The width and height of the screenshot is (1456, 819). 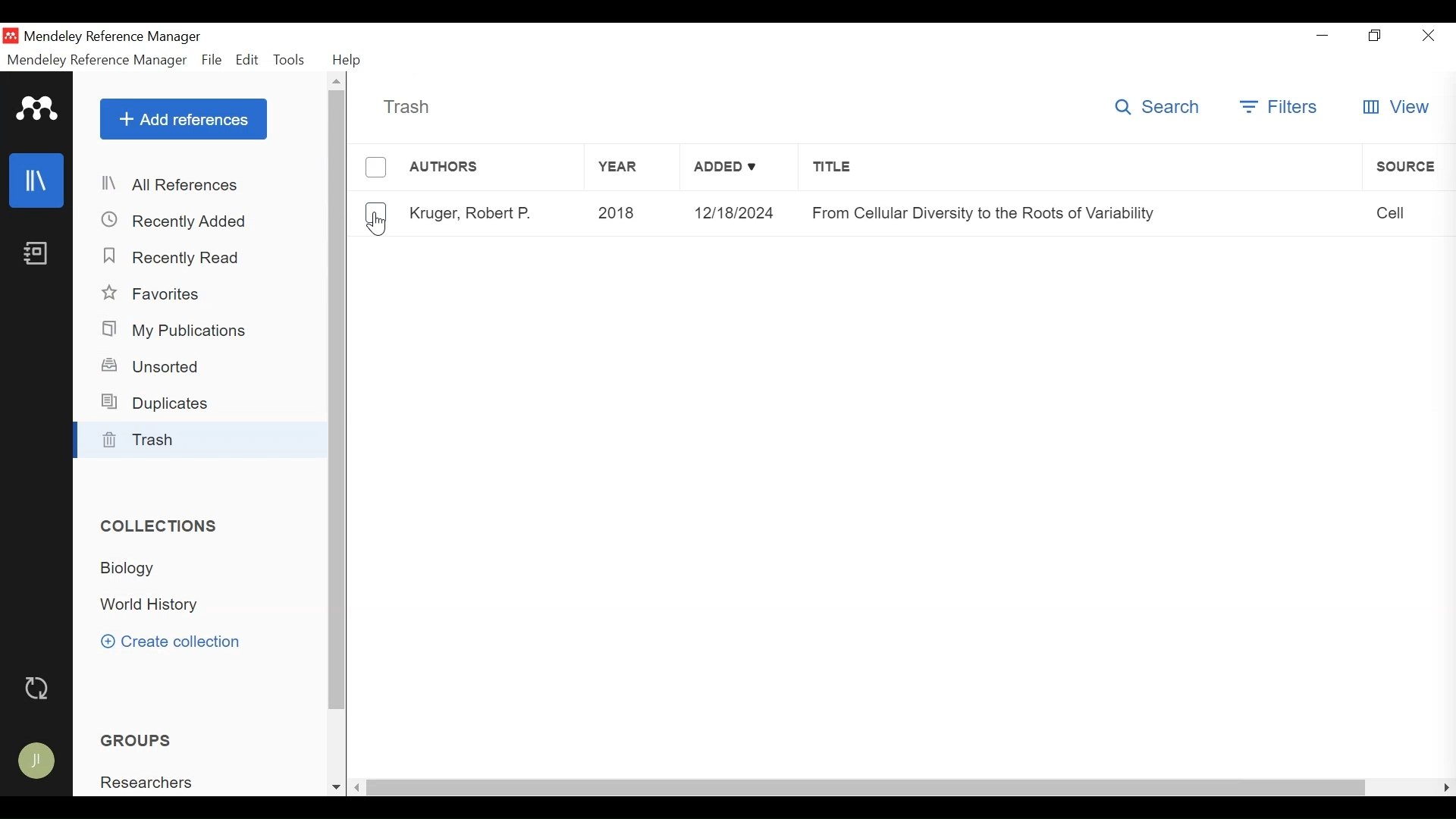 I want to click on View, so click(x=1398, y=107).